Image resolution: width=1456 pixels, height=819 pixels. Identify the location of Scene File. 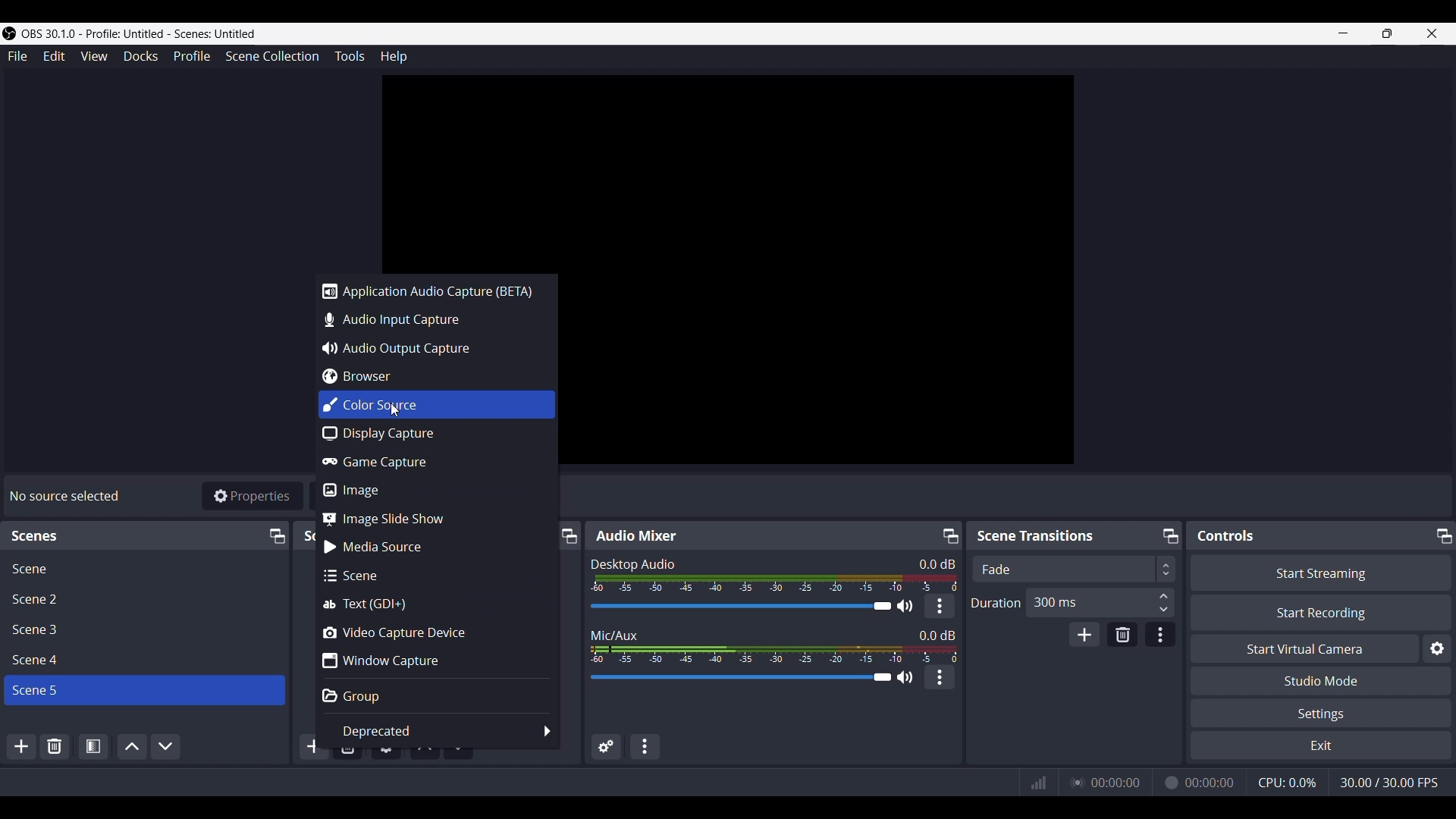
(141, 660).